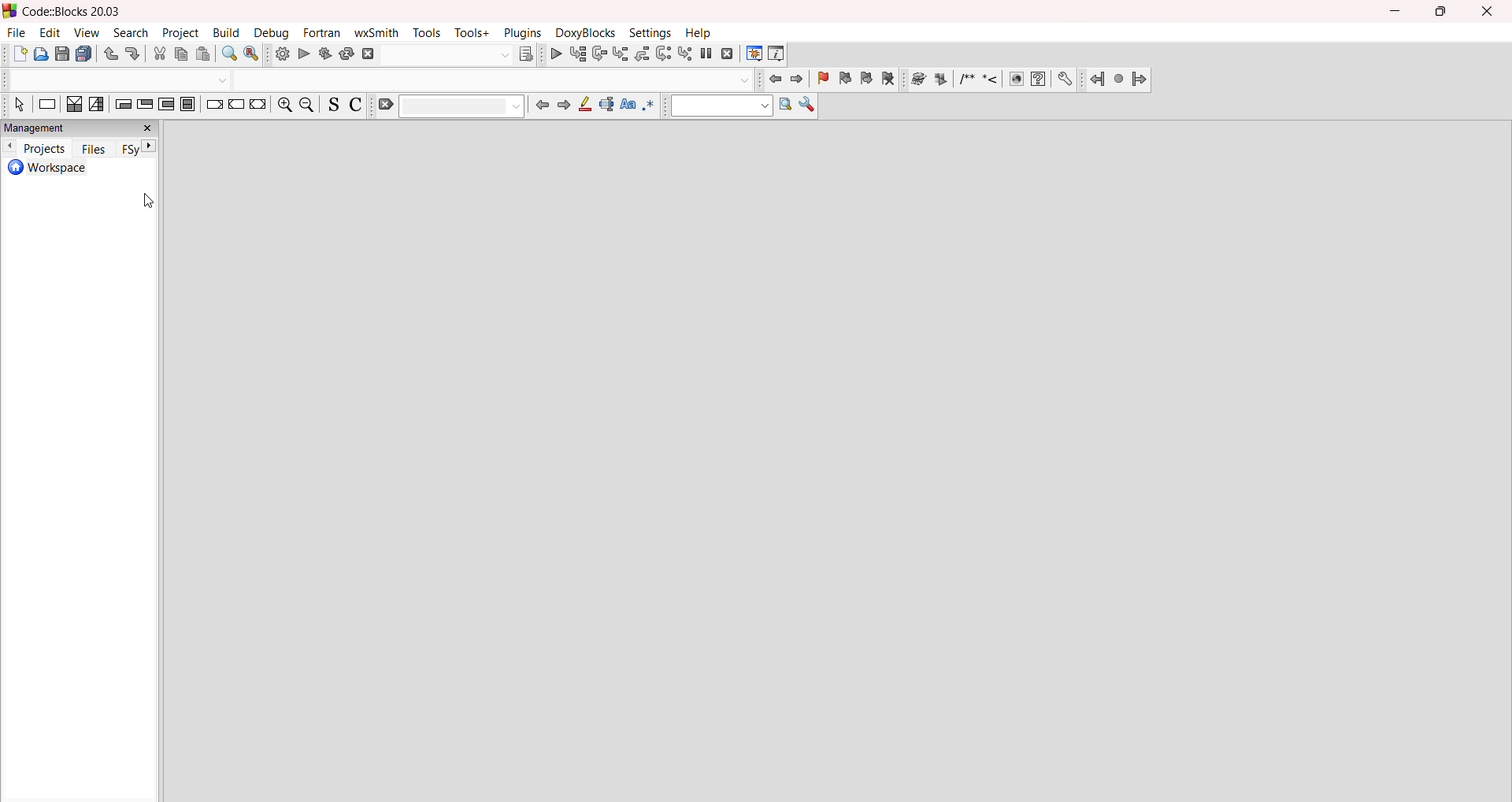 Image resolution: width=1512 pixels, height=802 pixels. Describe the element at coordinates (253, 54) in the screenshot. I see `replace` at that location.